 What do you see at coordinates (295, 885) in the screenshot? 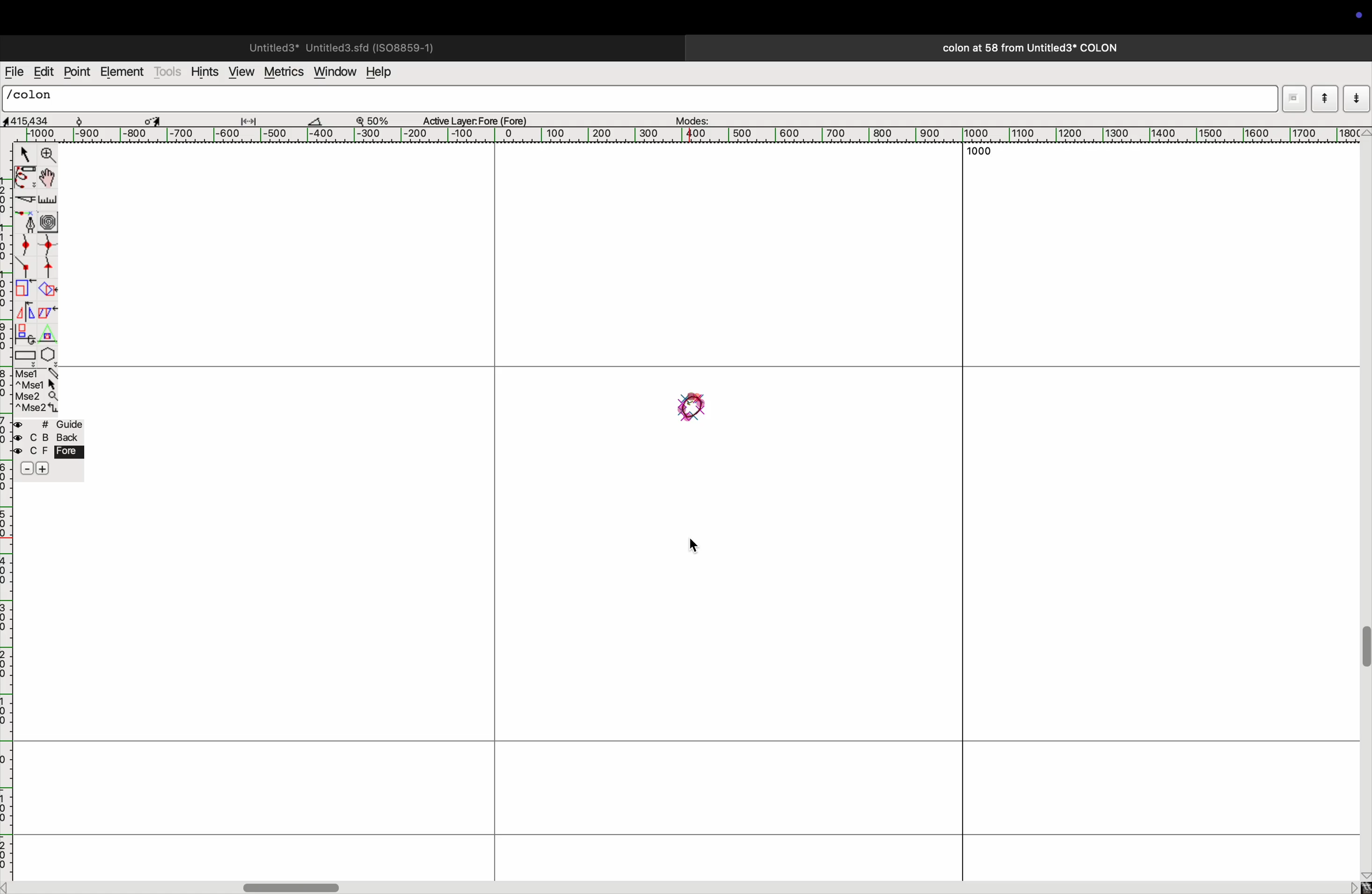
I see `toggle` at bounding box center [295, 885].